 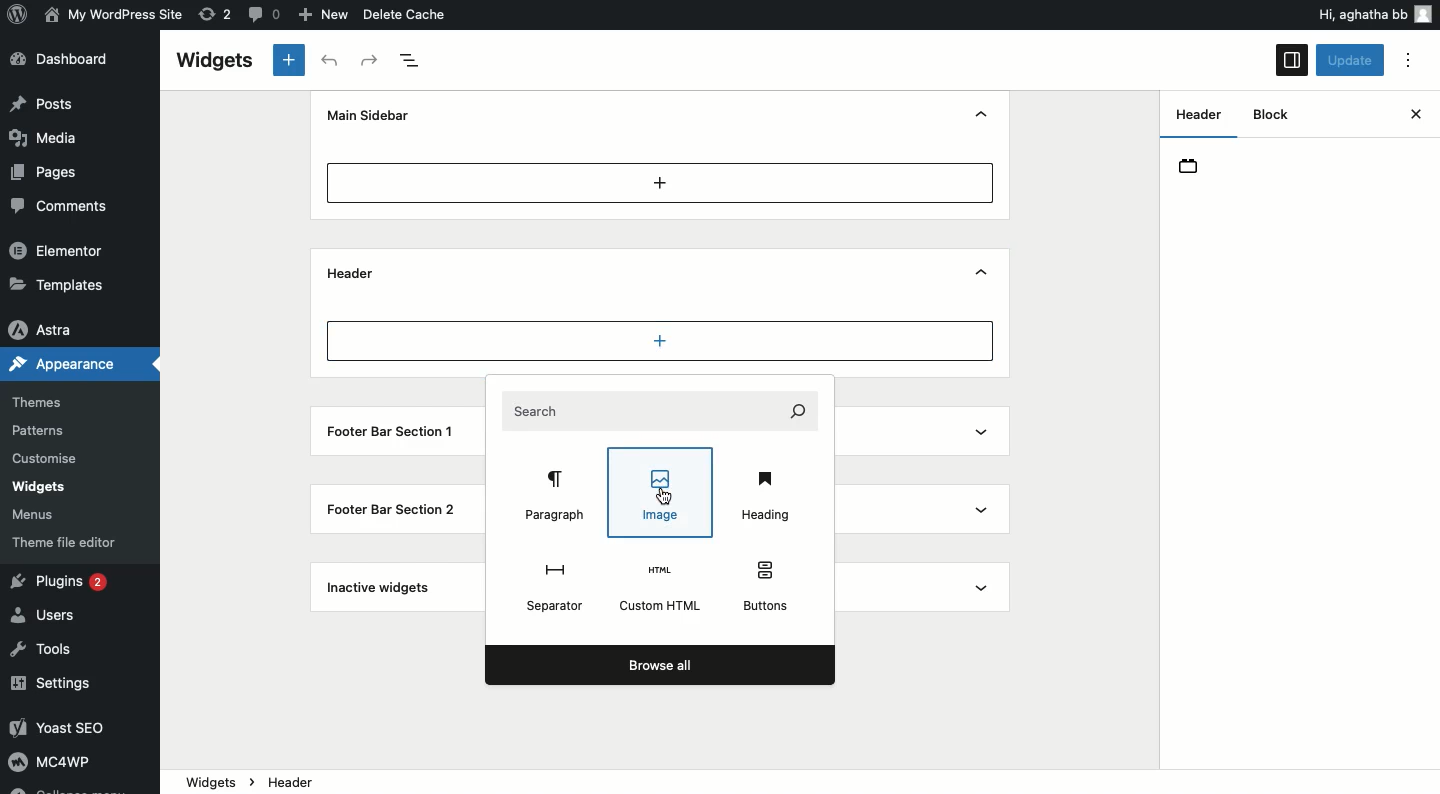 What do you see at coordinates (1415, 114) in the screenshot?
I see `Close` at bounding box center [1415, 114].